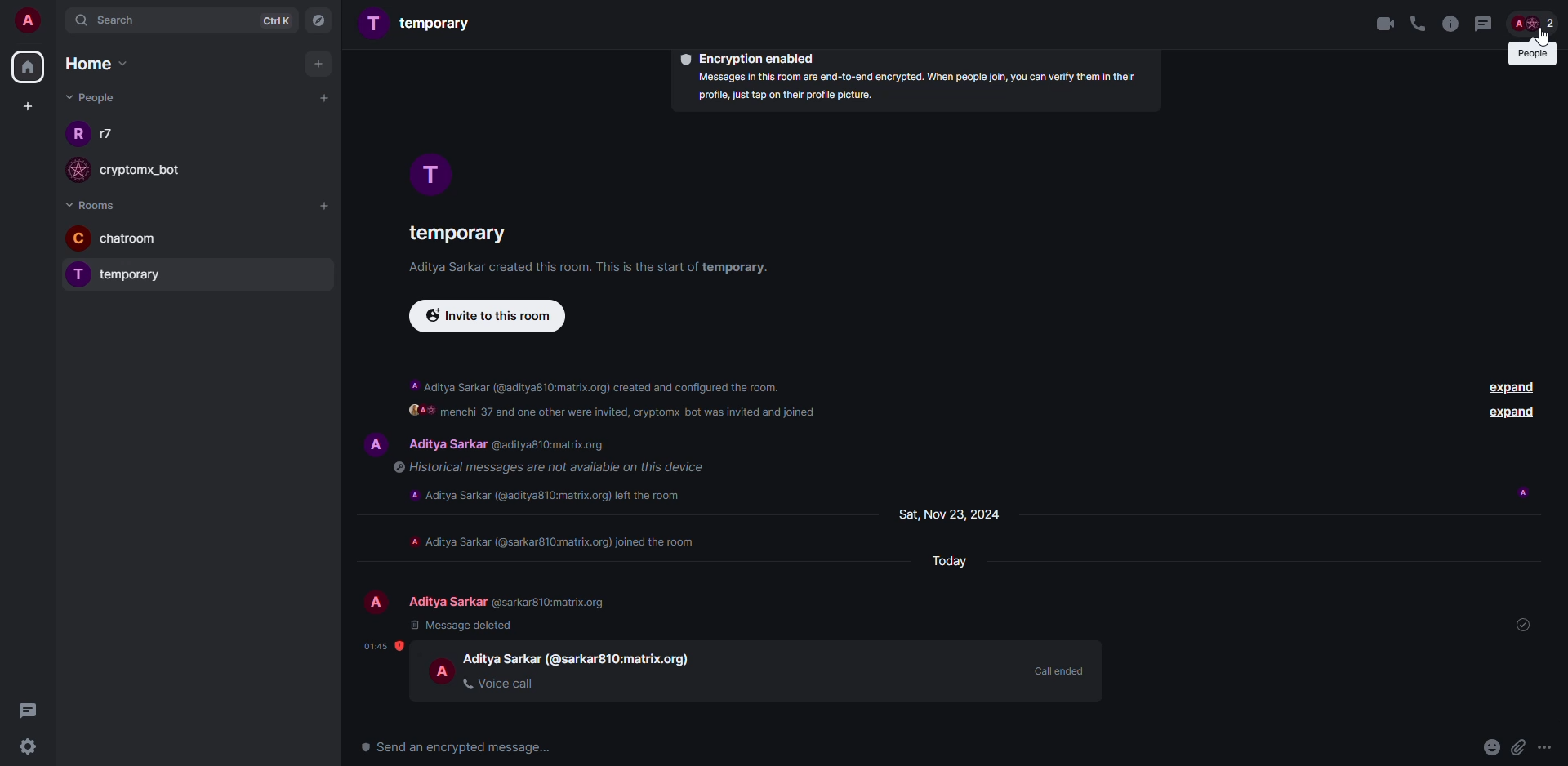  I want to click on room, so click(418, 24).